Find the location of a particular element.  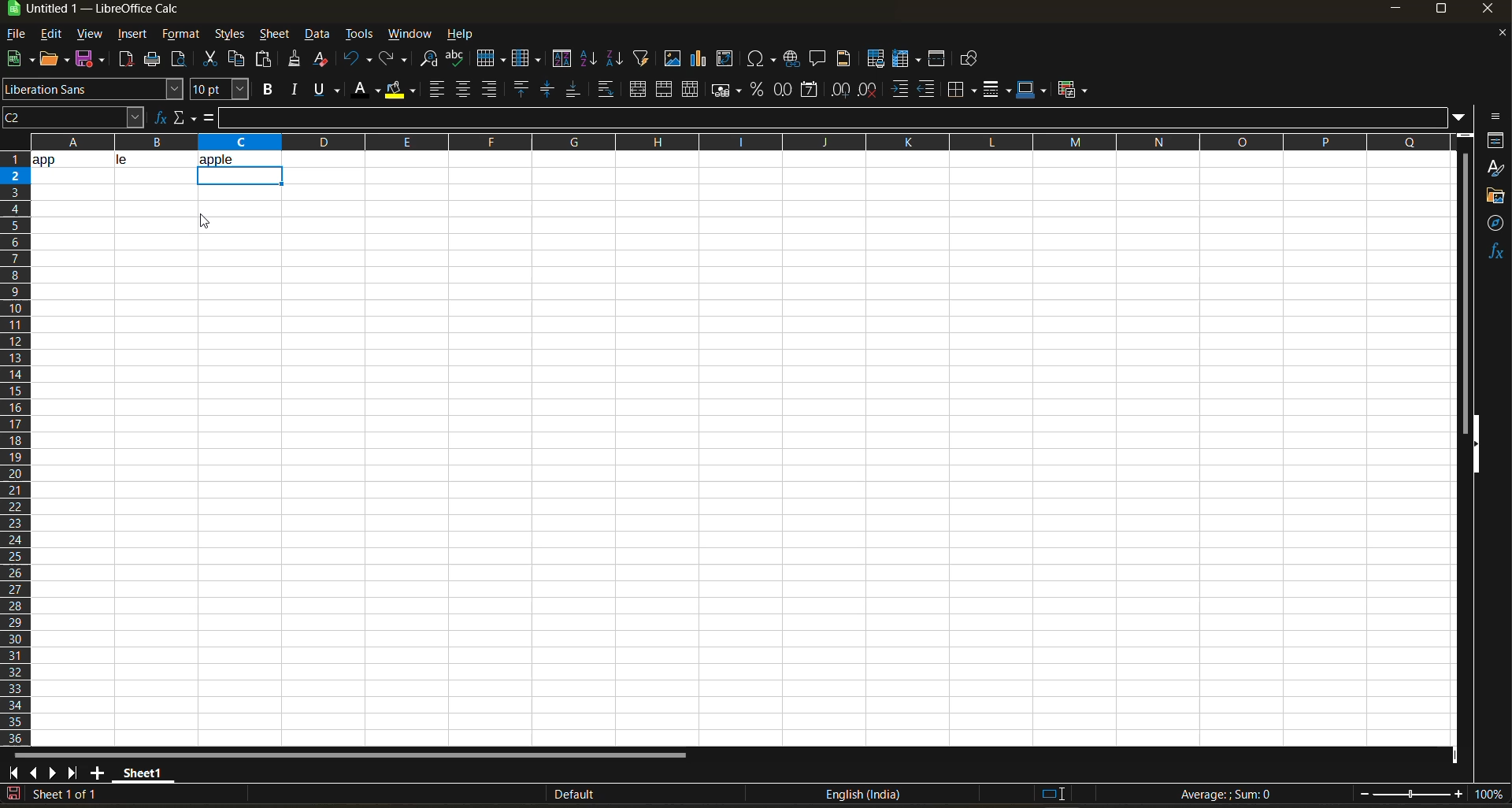

styles is located at coordinates (228, 35).